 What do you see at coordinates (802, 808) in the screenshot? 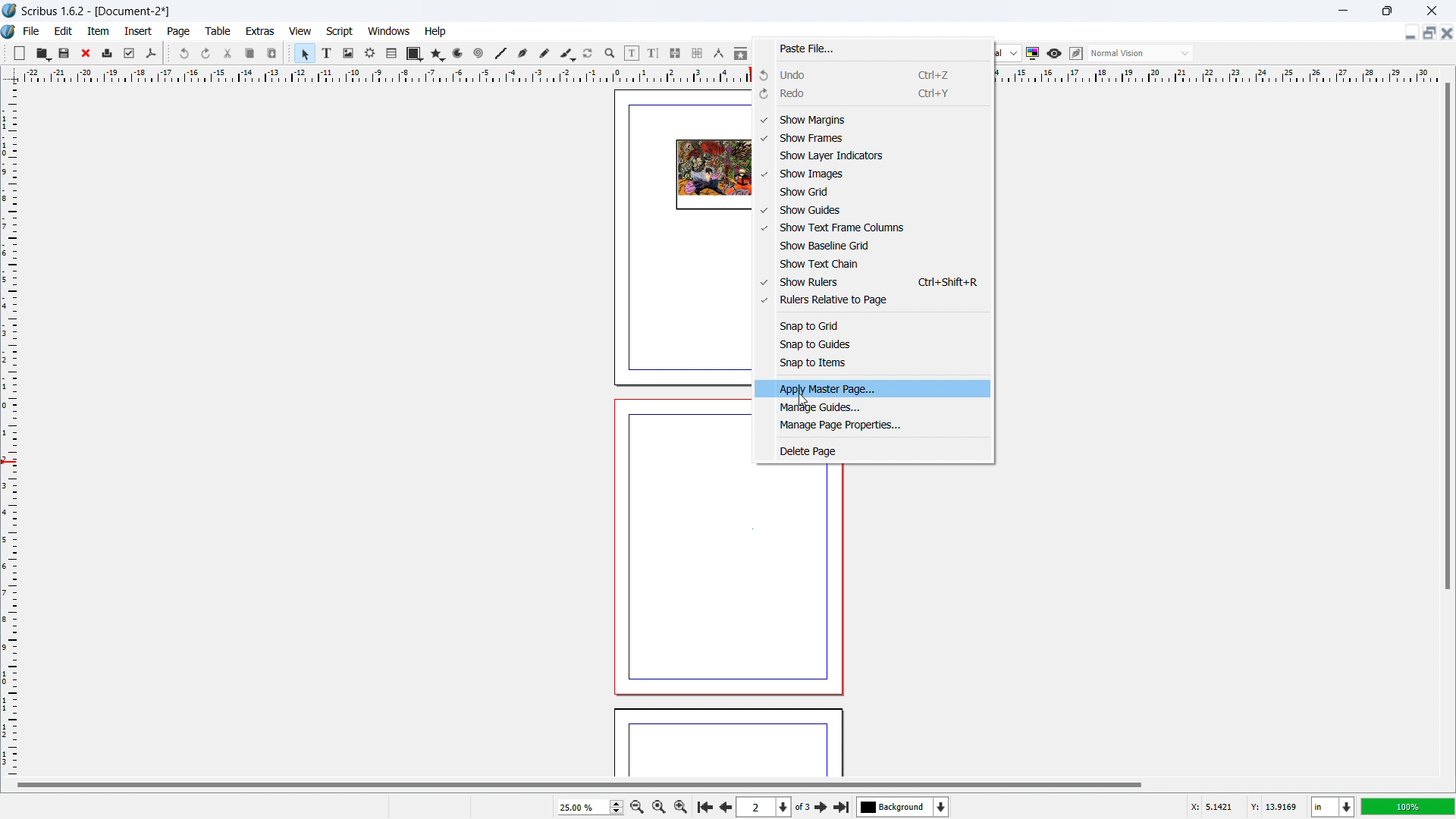
I see `of 3` at bounding box center [802, 808].